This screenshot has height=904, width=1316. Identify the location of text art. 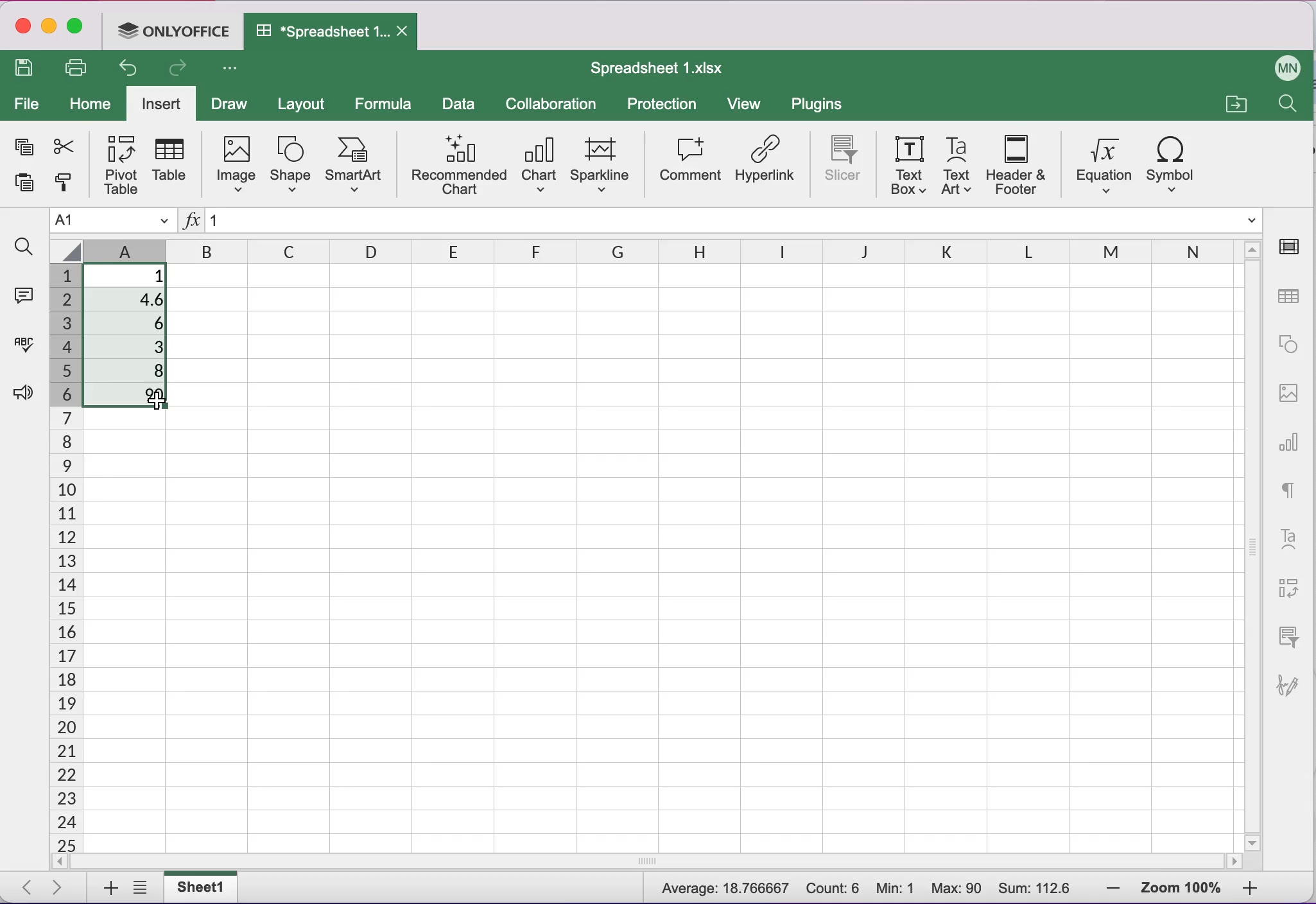
(956, 166).